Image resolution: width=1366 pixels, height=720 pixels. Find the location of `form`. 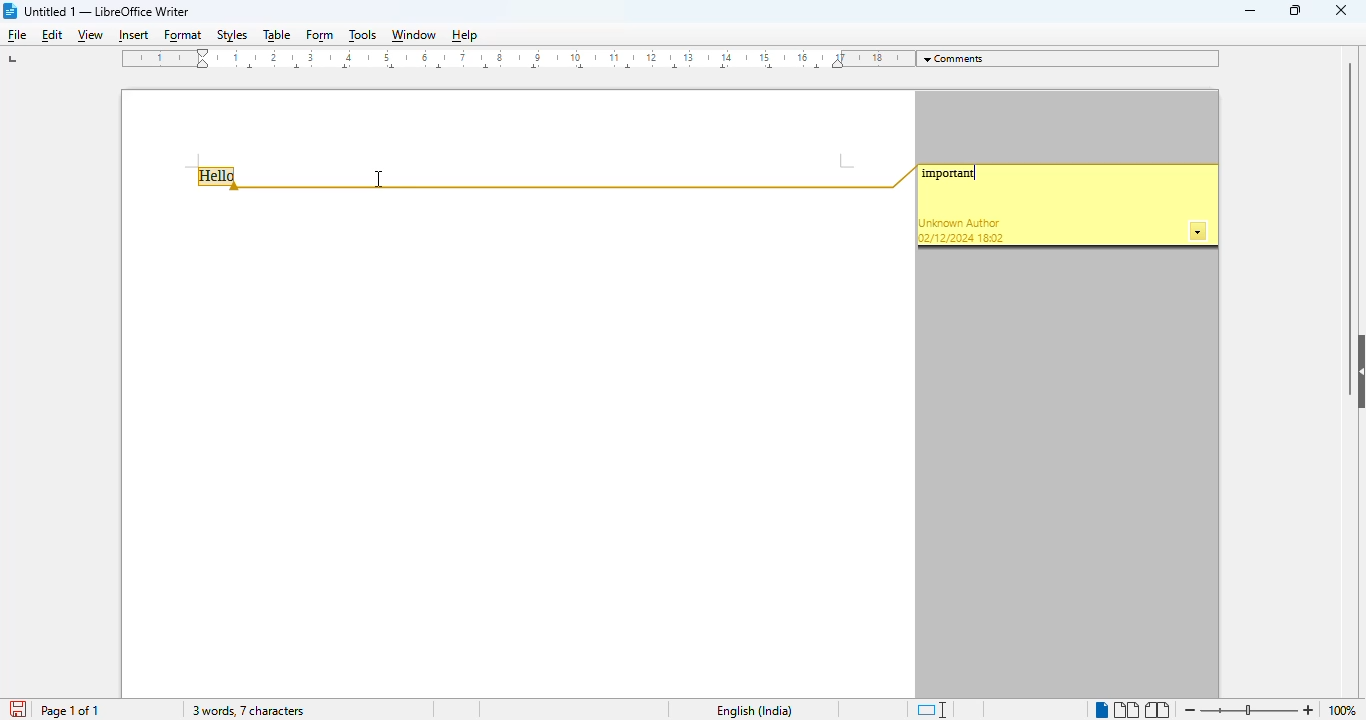

form is located at coordinates (320, 37).